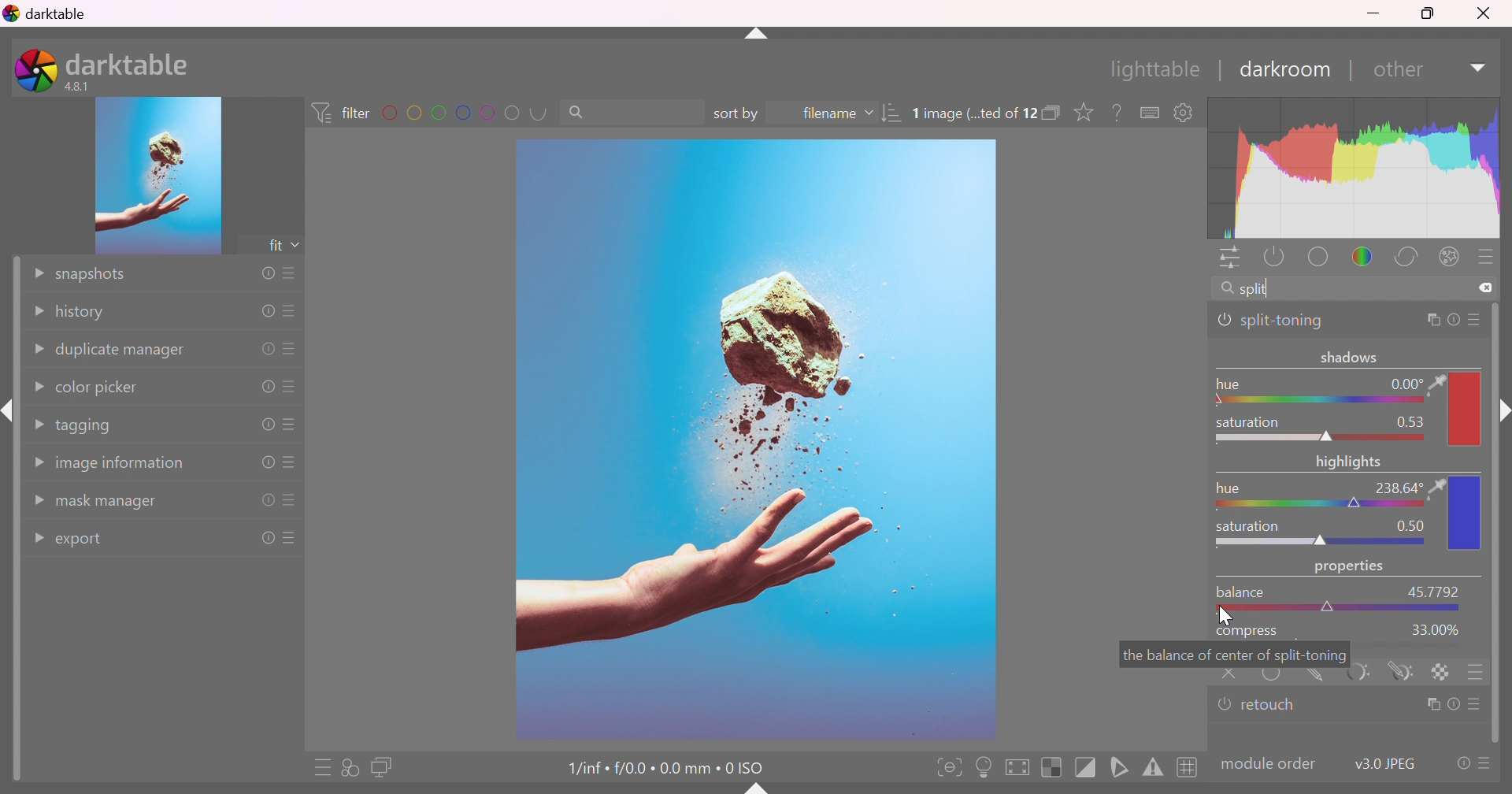  Describe the element at coordinates (1484, 258) in the screenshot. I see `presets` at that location.